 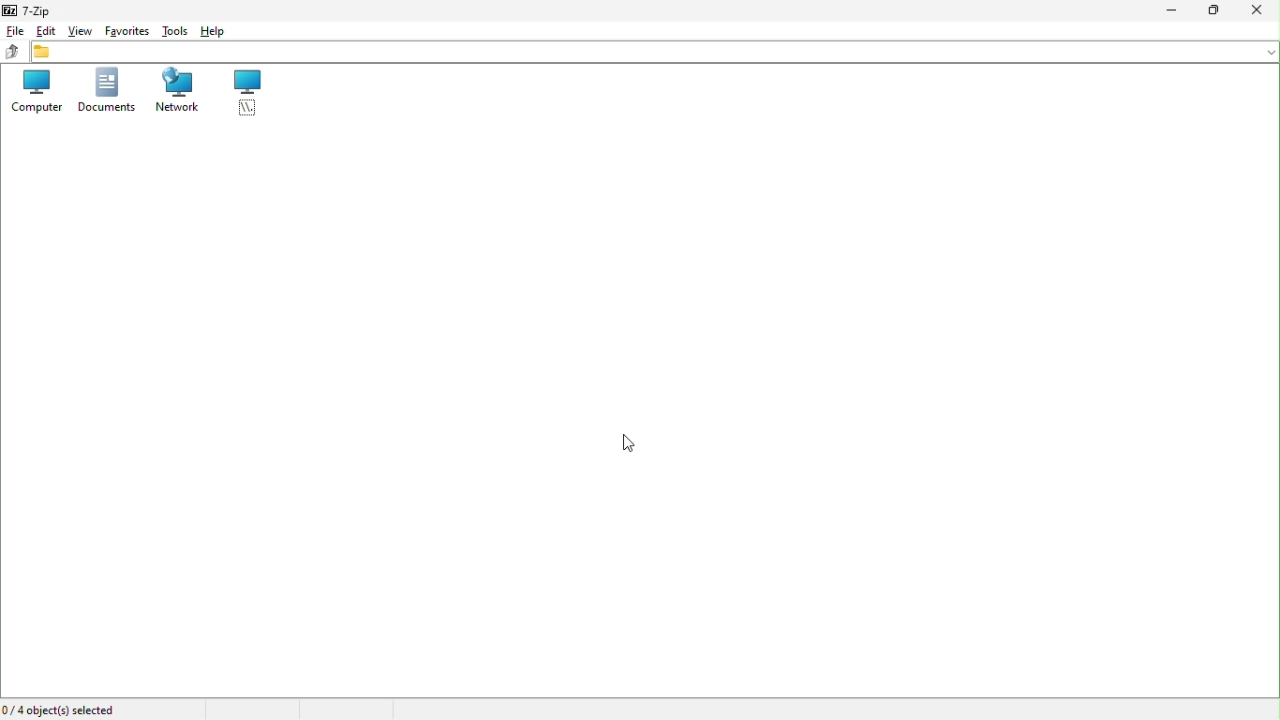 I want to click on network, so click(x=175, y=92).